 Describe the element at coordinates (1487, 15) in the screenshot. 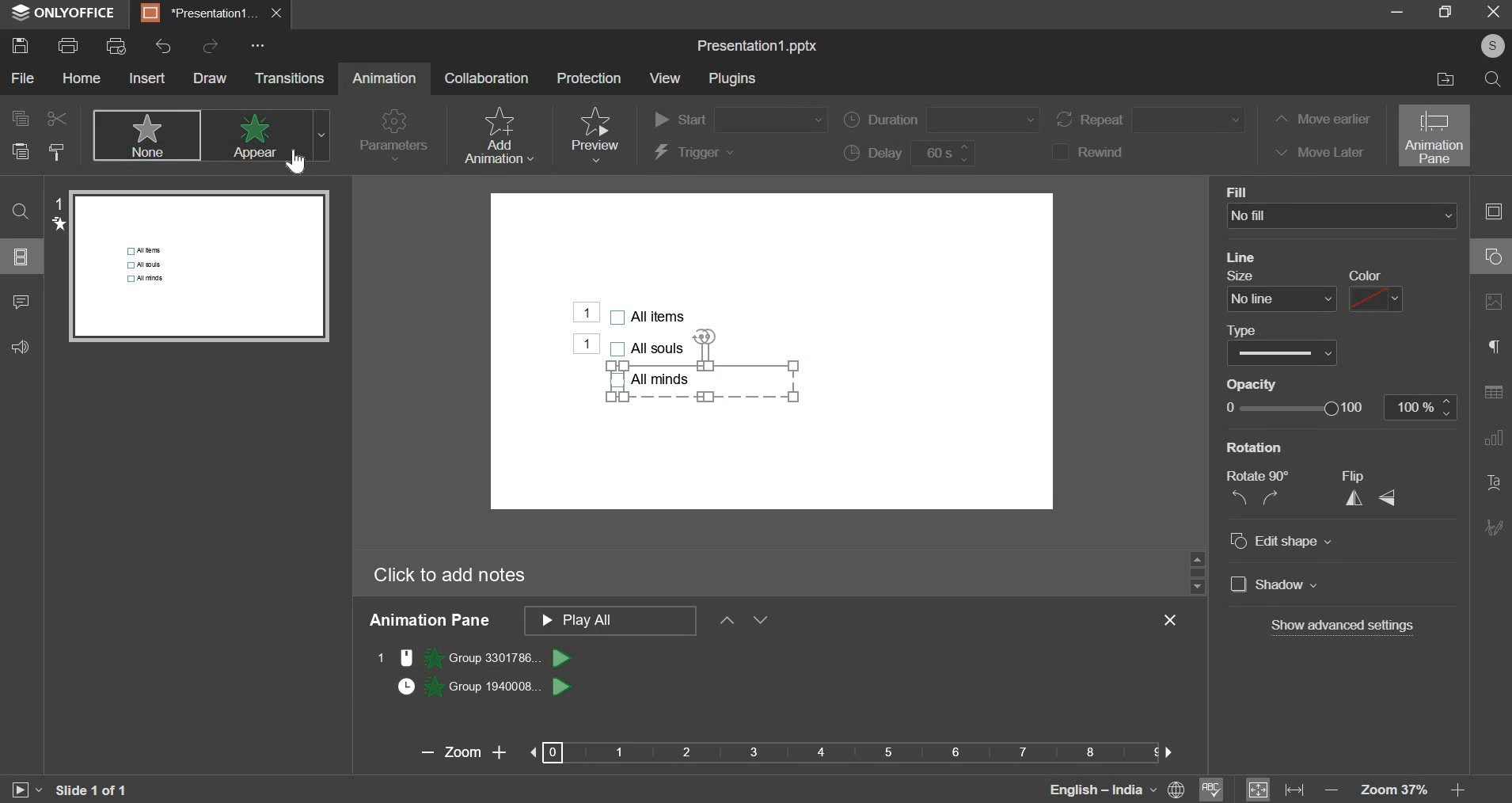

I see `exit` at that location.